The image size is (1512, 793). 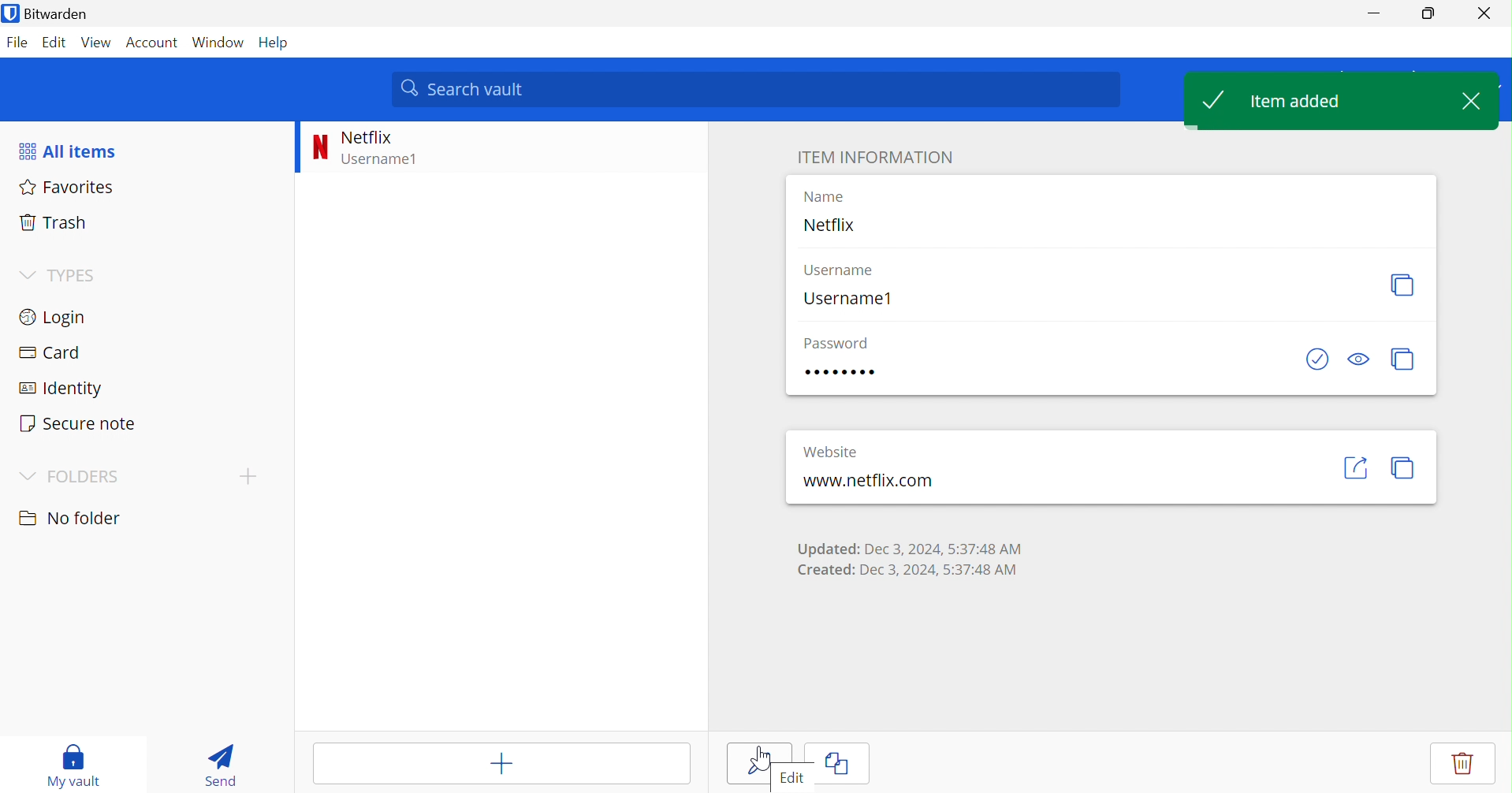 What do you see at coordinates (754, 90) in the screenshot?
I see `Search vault` at bounding box center [754, 90].